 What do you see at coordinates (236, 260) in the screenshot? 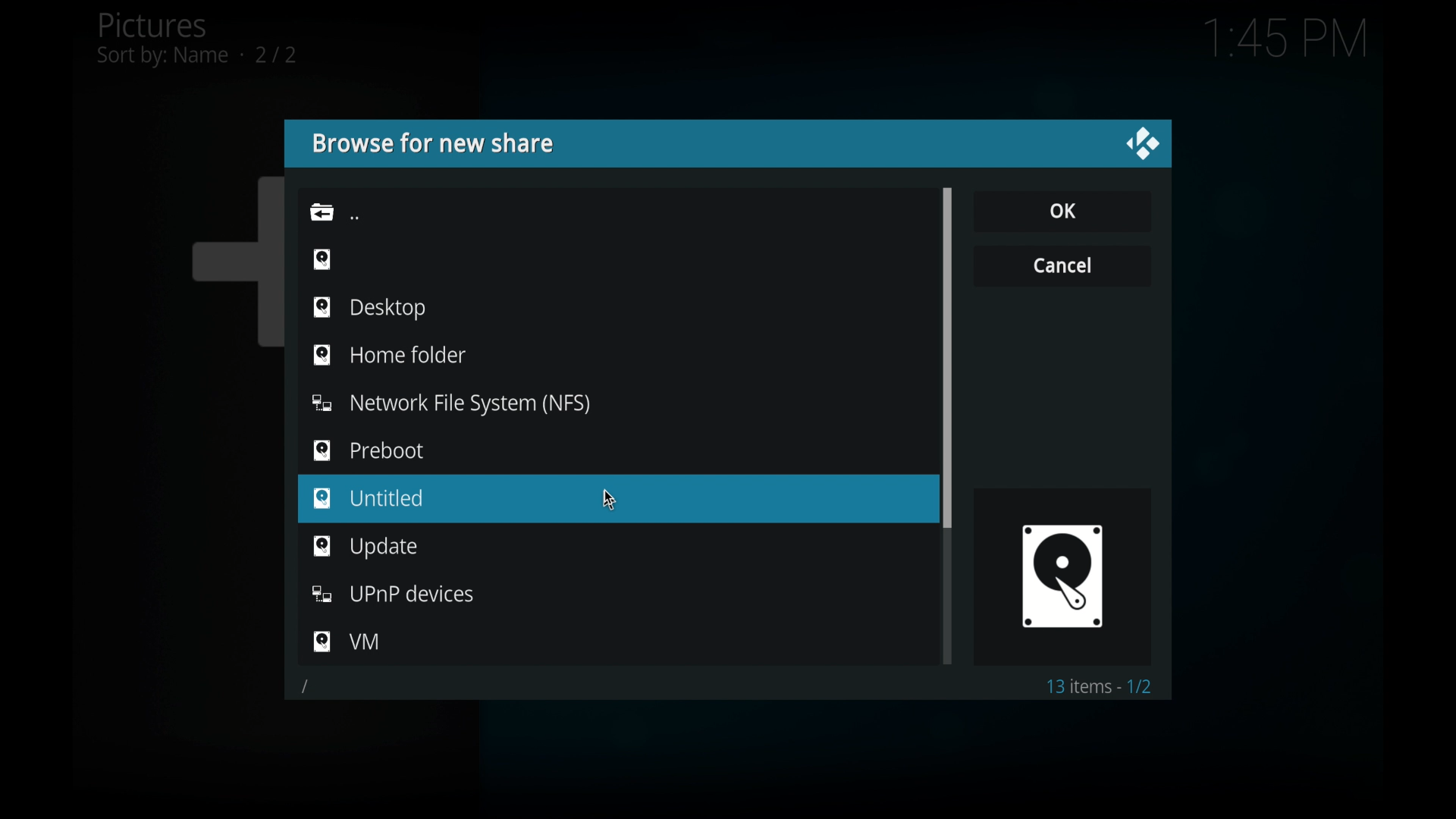
I see `add icon` at bounding box center [236, 260].